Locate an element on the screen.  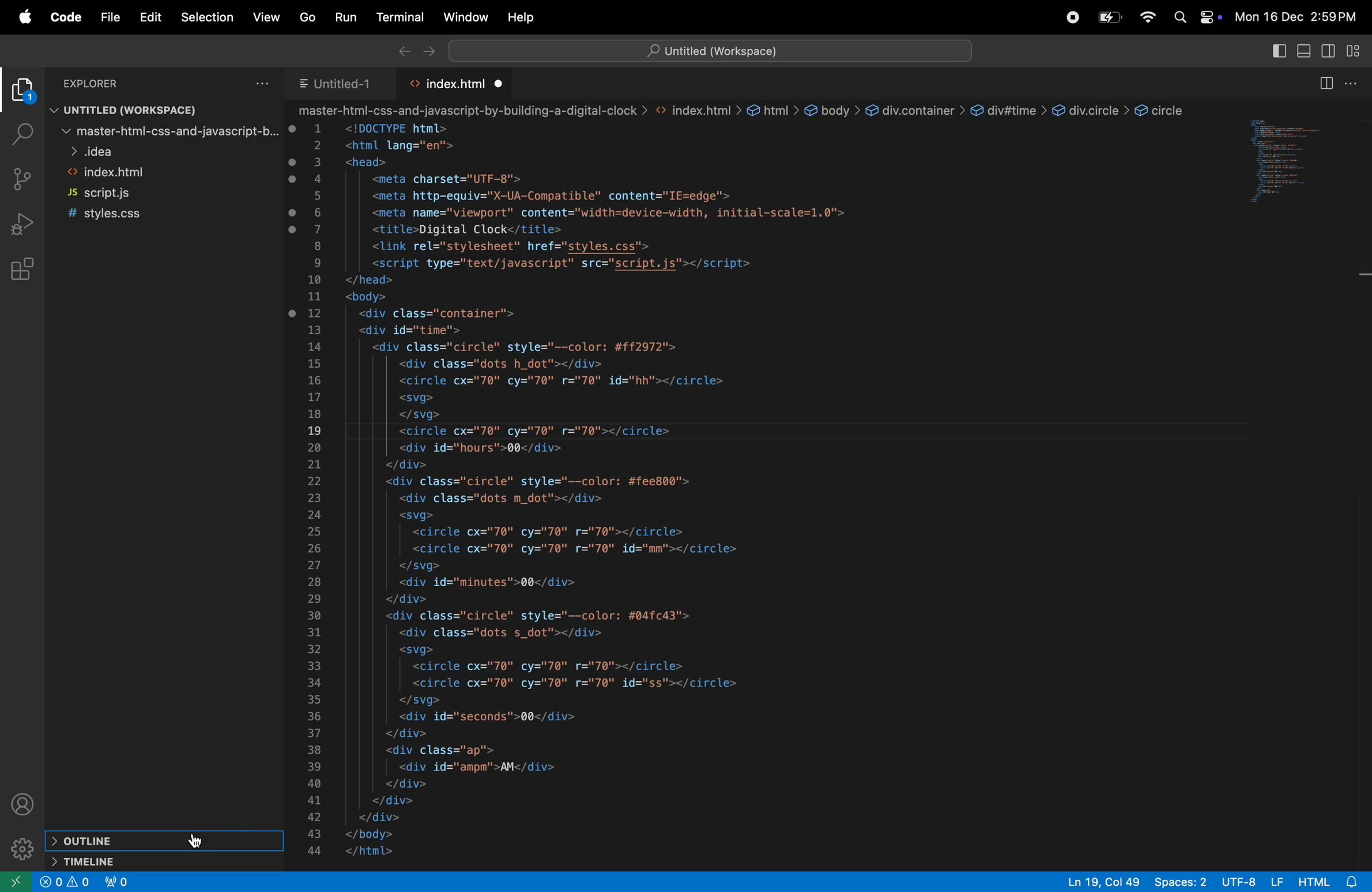
Go is located at coordinates (303, 17).